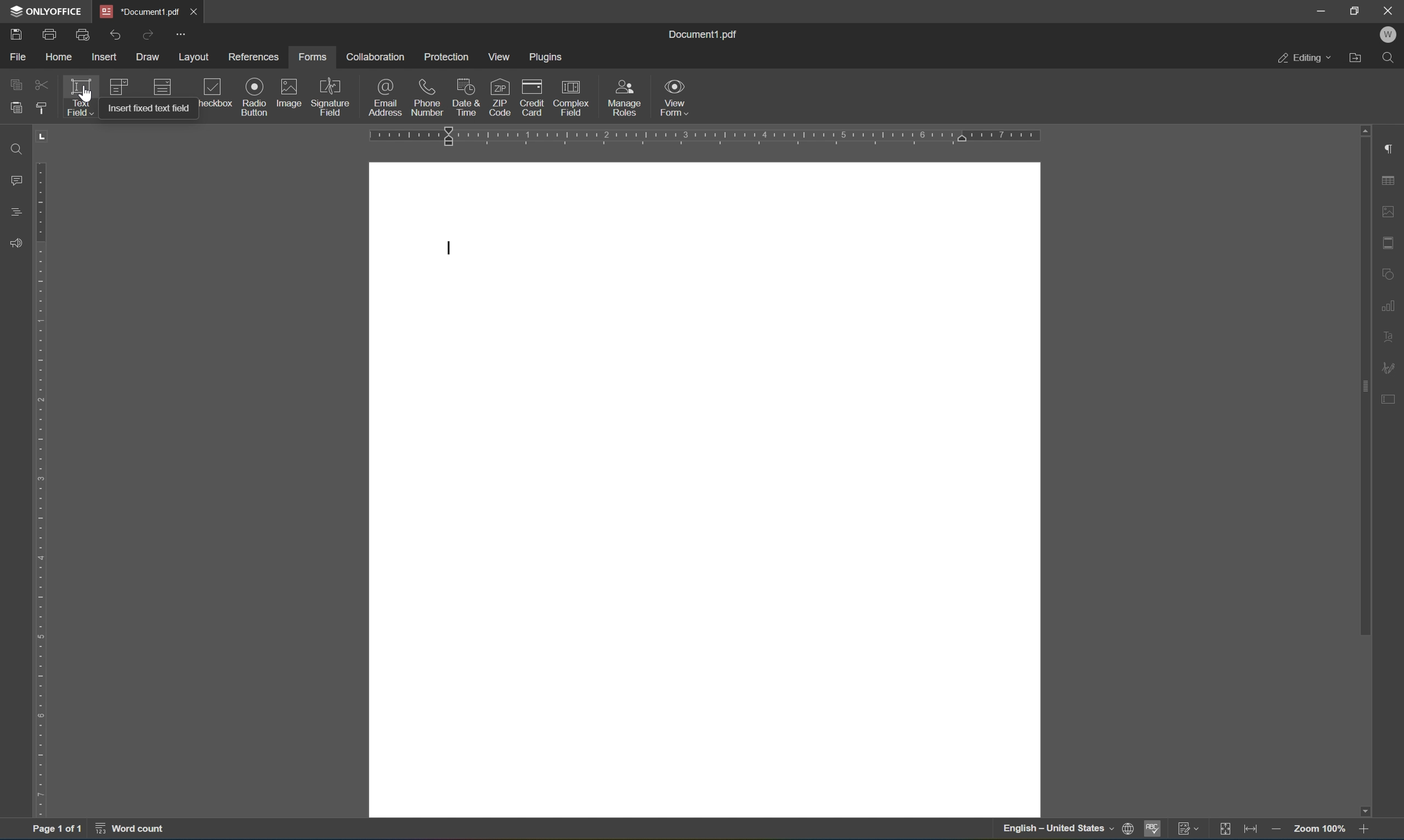  I want to click on ruler, so click(44, 488).